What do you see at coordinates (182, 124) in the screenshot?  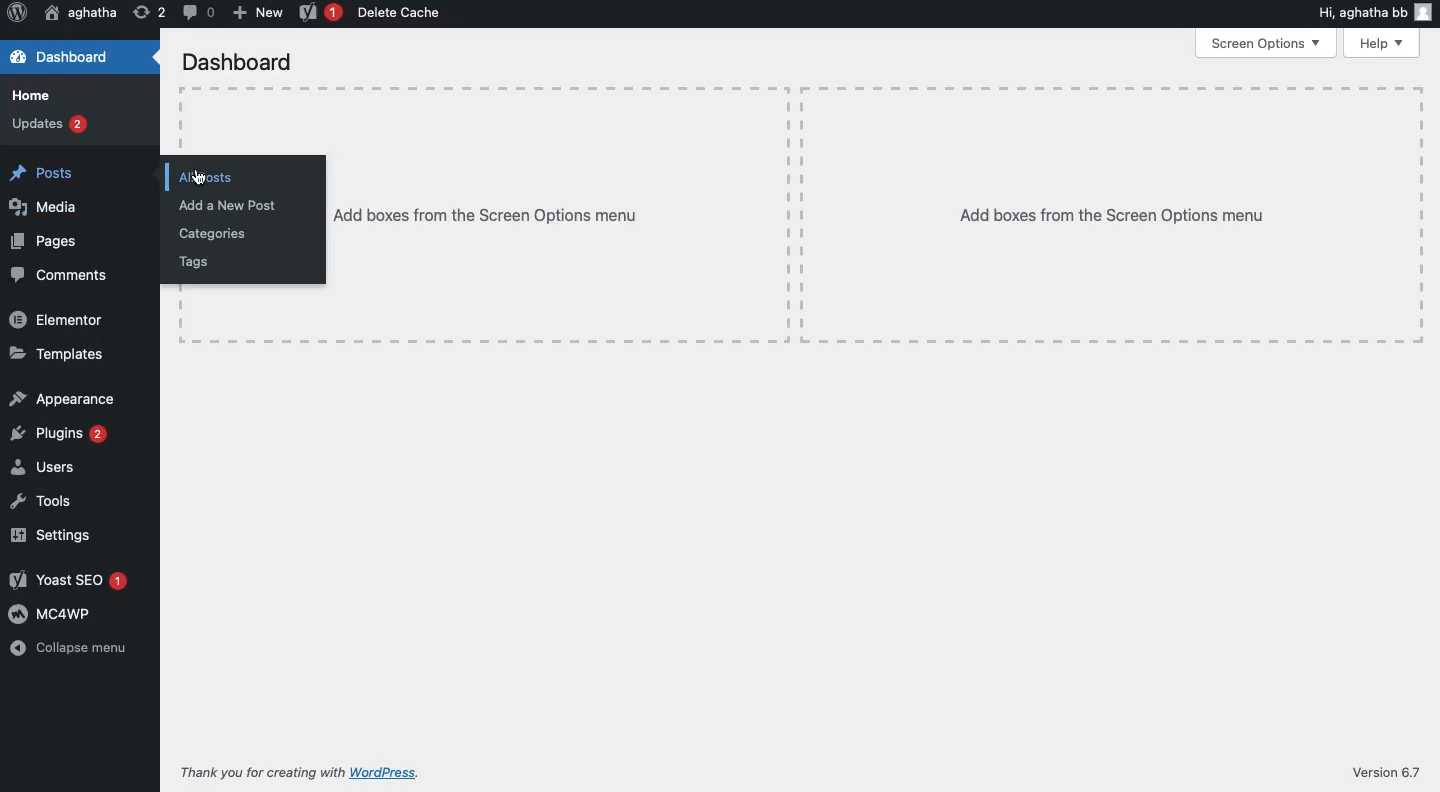 I see `Table line` at bounding box center [182, 124].